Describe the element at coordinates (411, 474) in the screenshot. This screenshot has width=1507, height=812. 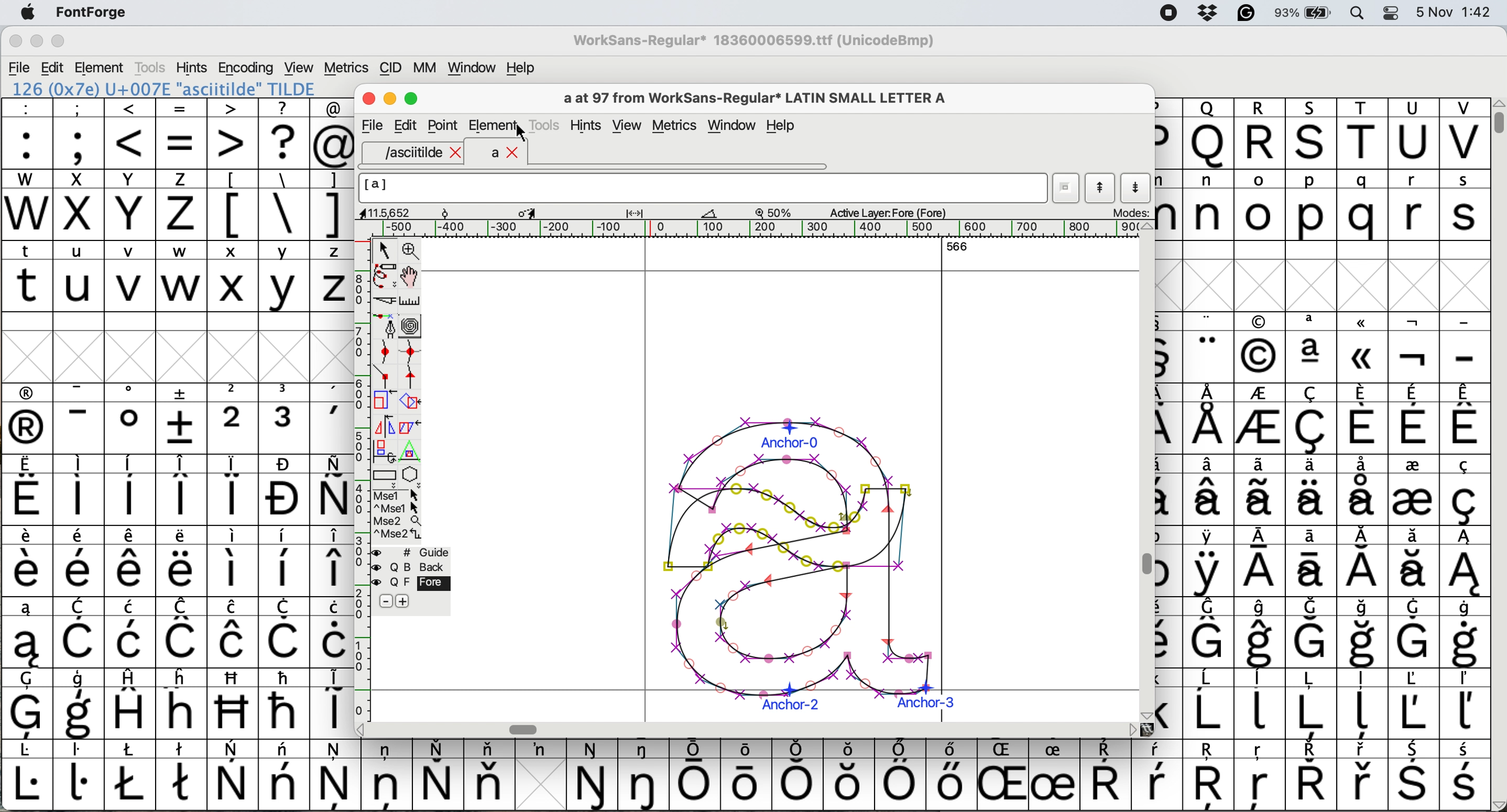
I see `star or polygon` at that location.